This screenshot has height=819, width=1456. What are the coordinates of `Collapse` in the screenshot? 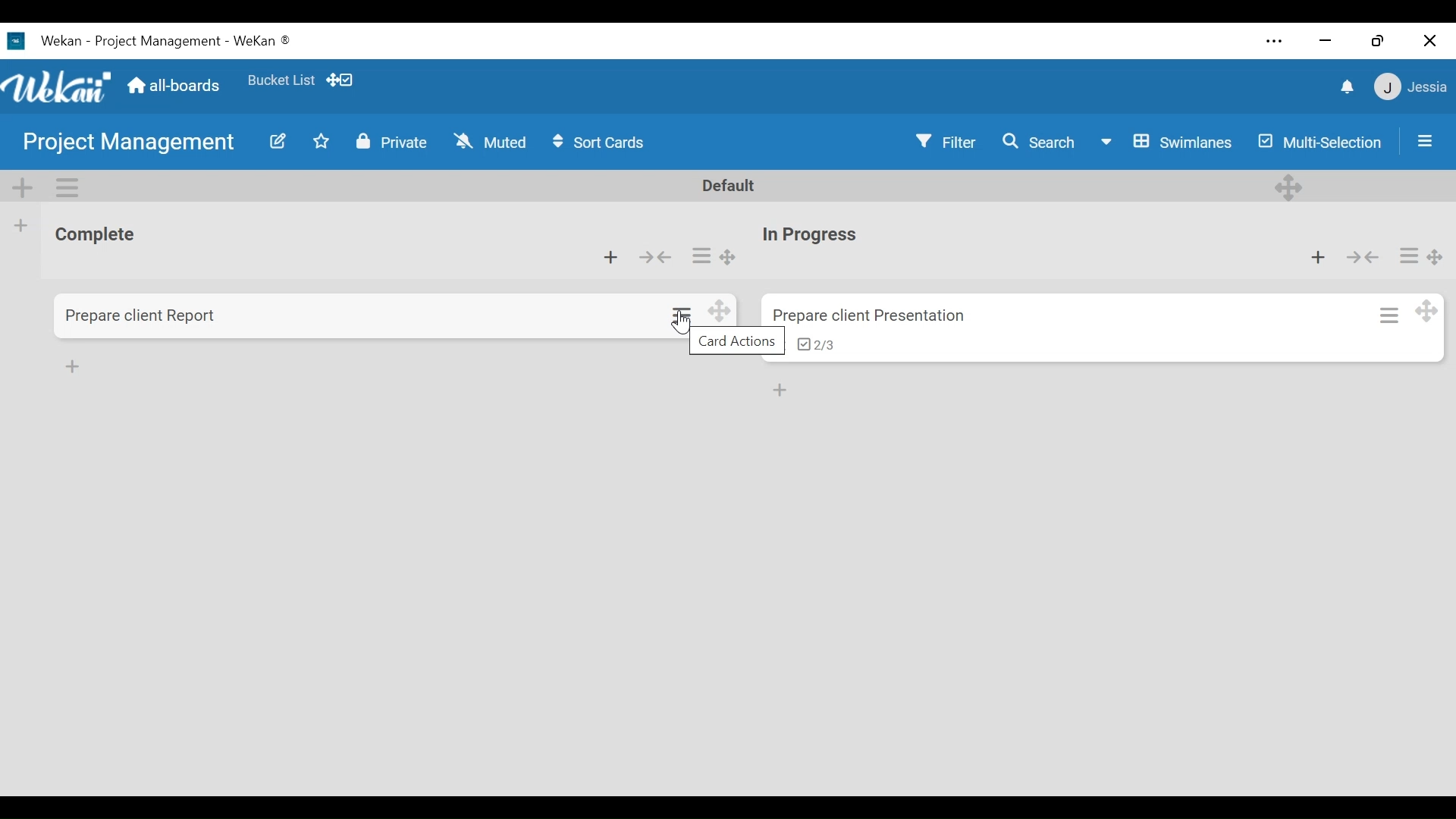 It's located at (654, 257).